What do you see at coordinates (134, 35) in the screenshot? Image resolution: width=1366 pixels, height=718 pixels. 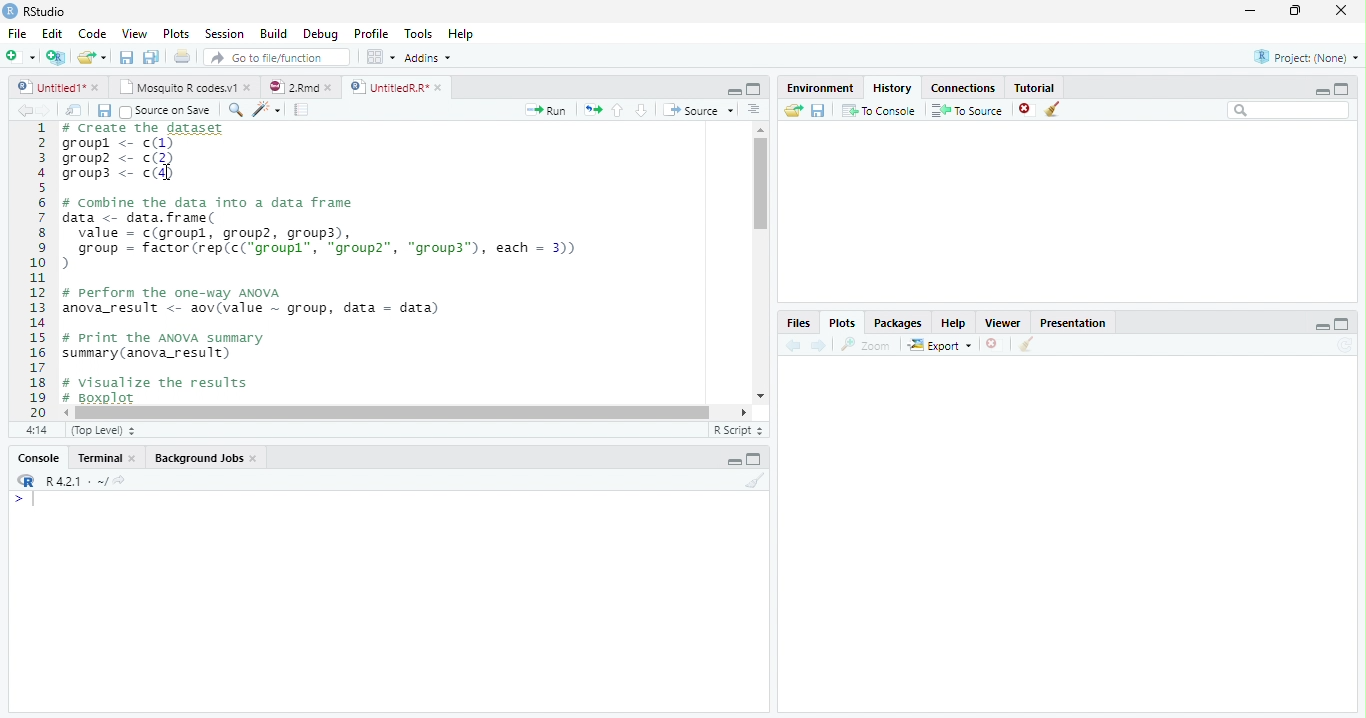 I see `View` at bounding box center [134, 35].